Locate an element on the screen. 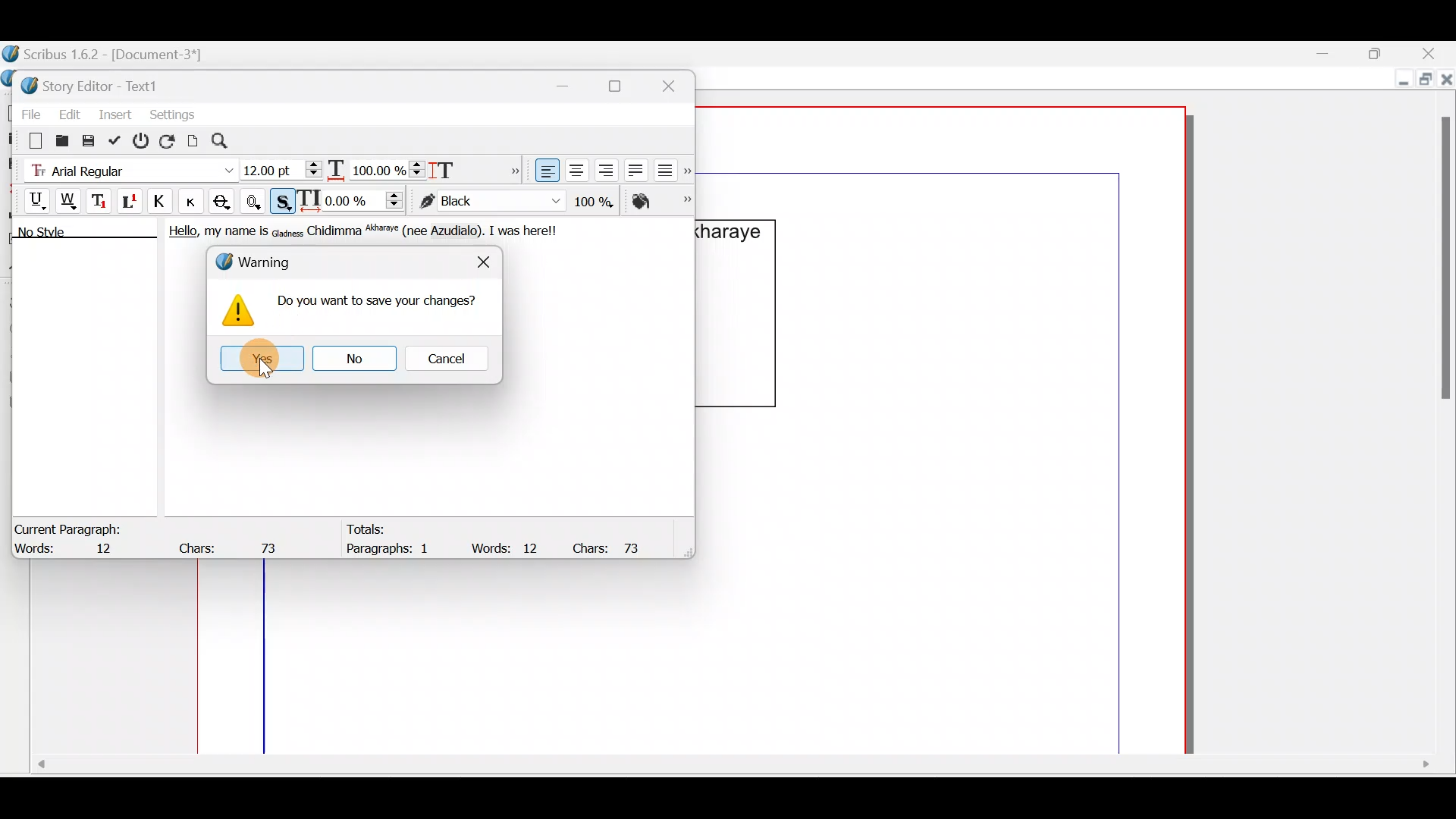 This screenshot has width=1456, height=819. Font type - Arial Regular is located at coordinates (126, 168).